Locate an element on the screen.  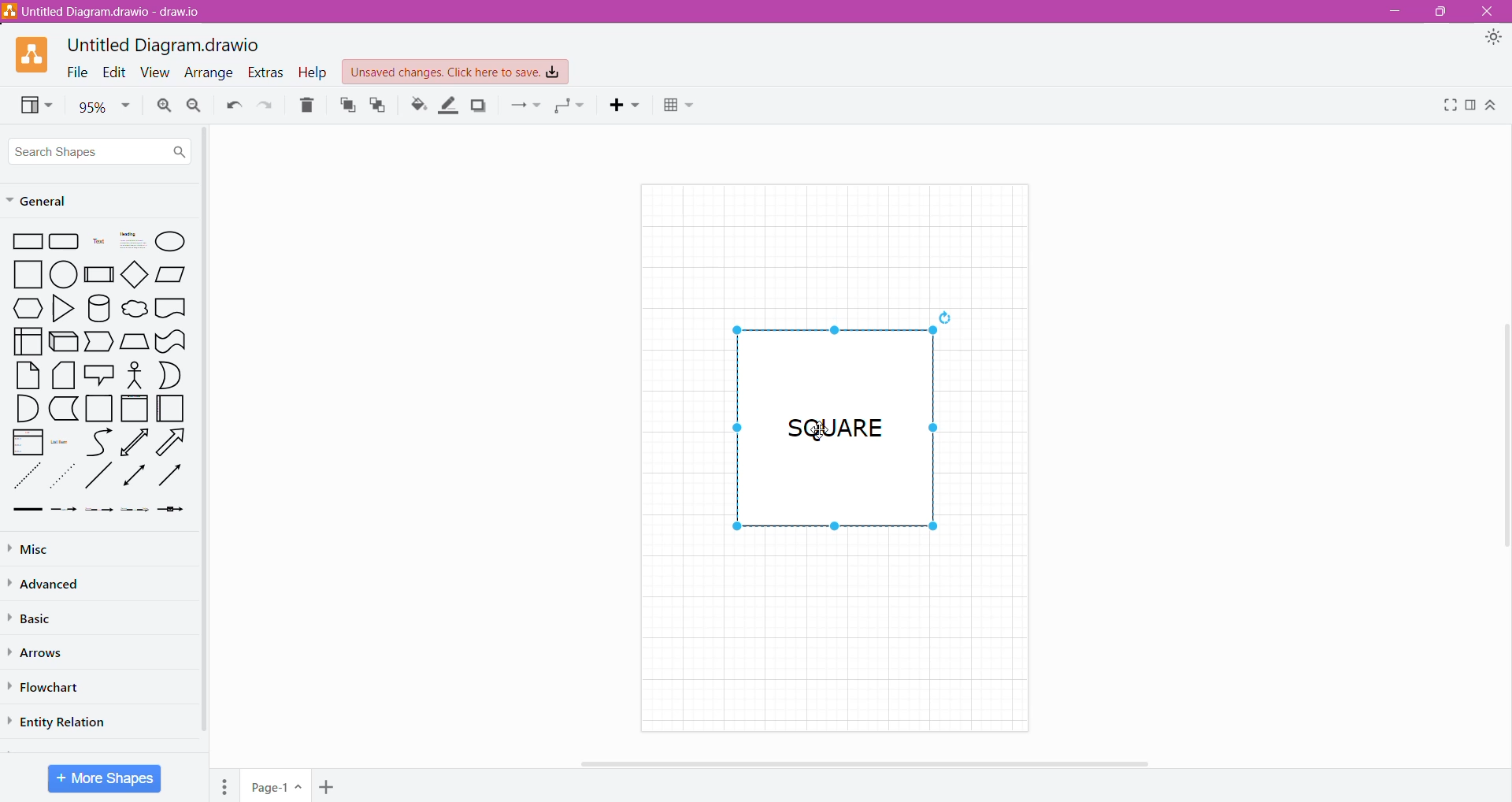
To Front is located at coordinates (346, 104).